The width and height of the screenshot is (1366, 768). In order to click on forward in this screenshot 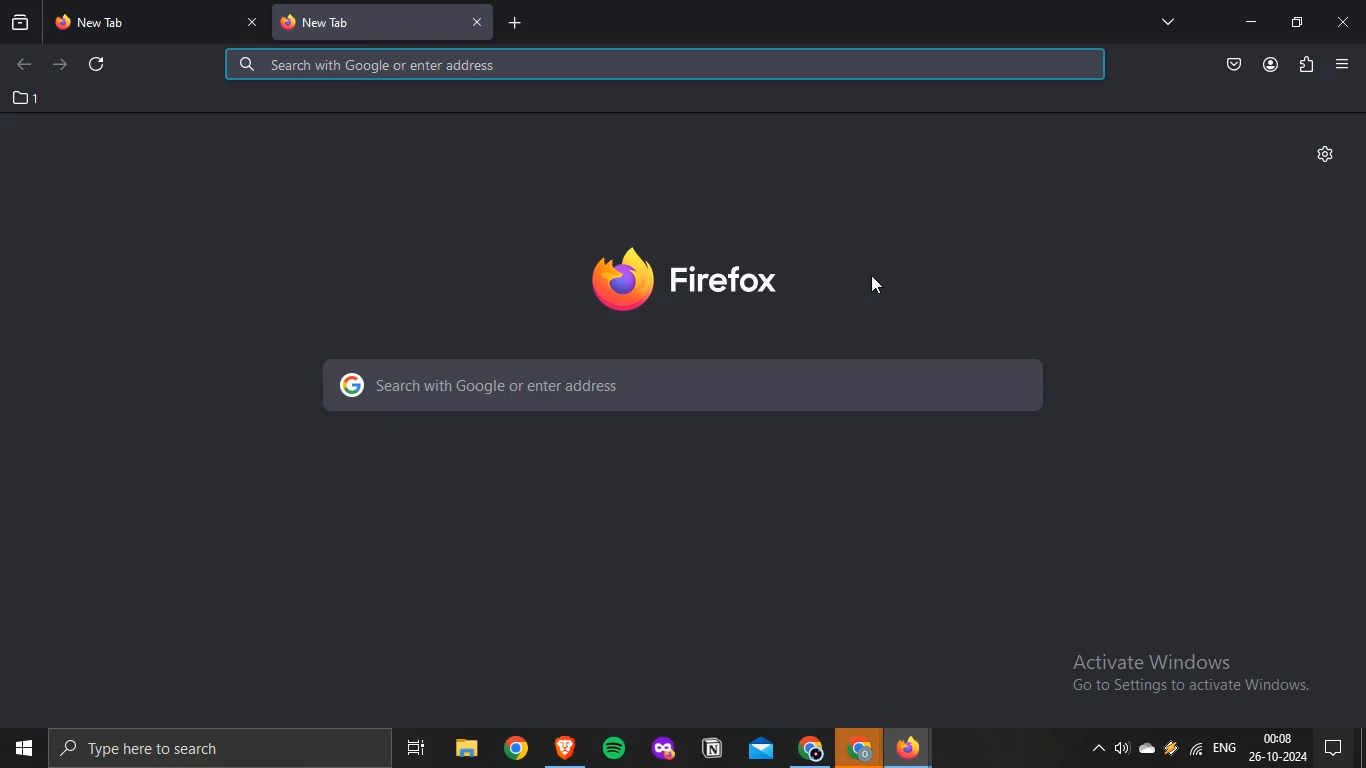, I will do `click(63, 66)`.